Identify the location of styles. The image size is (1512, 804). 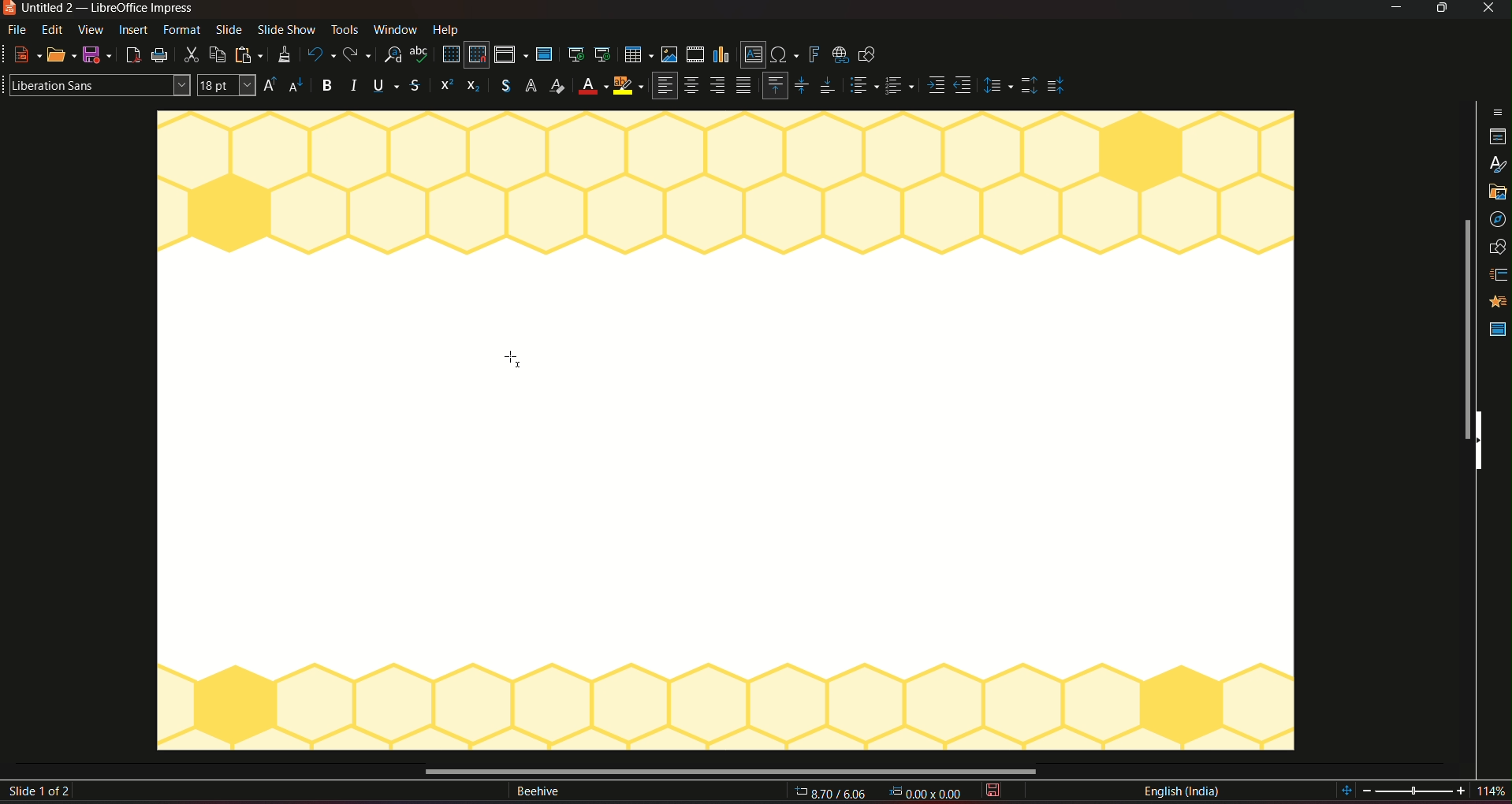
(1496, 134).